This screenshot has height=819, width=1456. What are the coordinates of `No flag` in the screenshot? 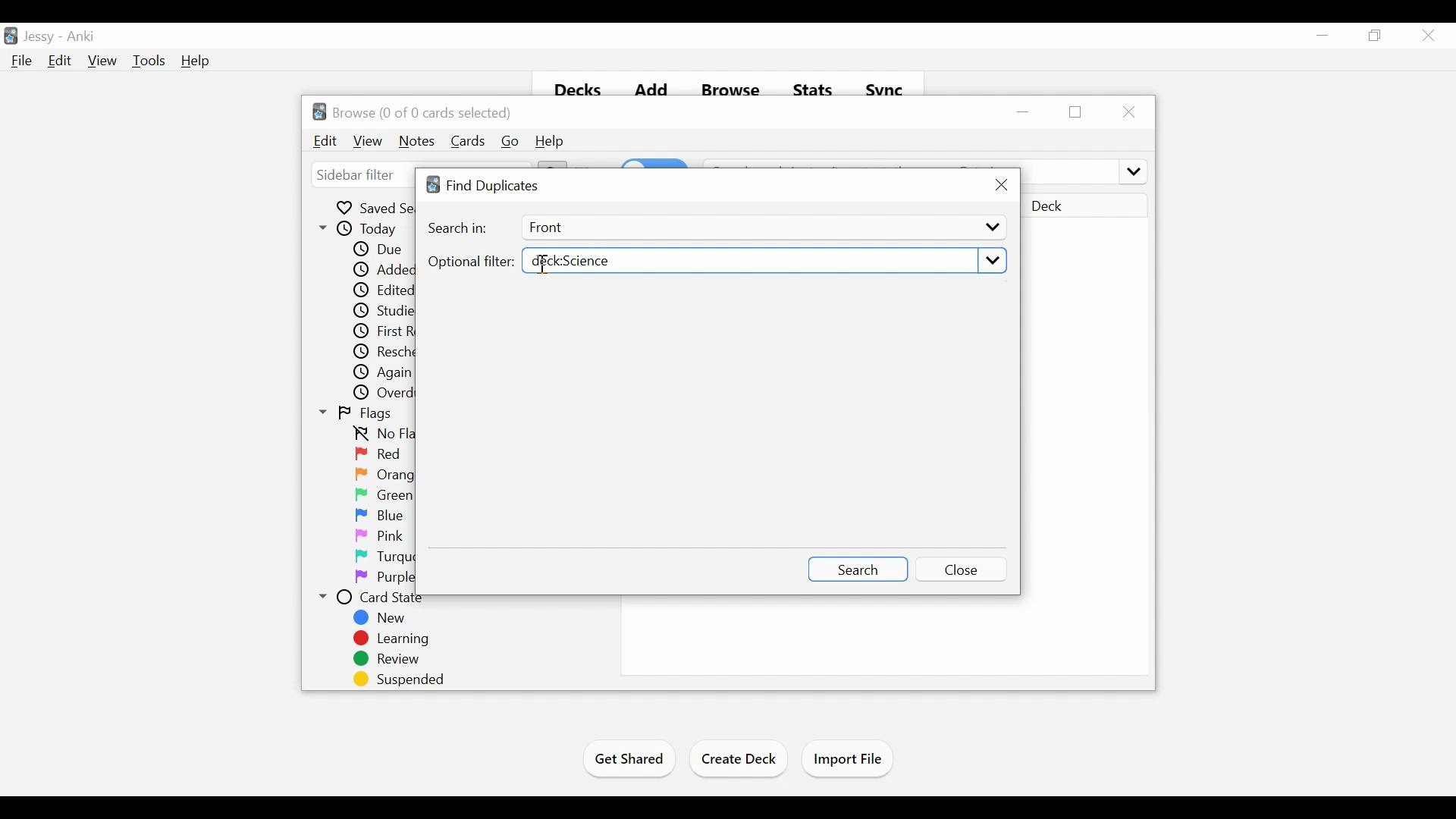 It's located at (381, 435).